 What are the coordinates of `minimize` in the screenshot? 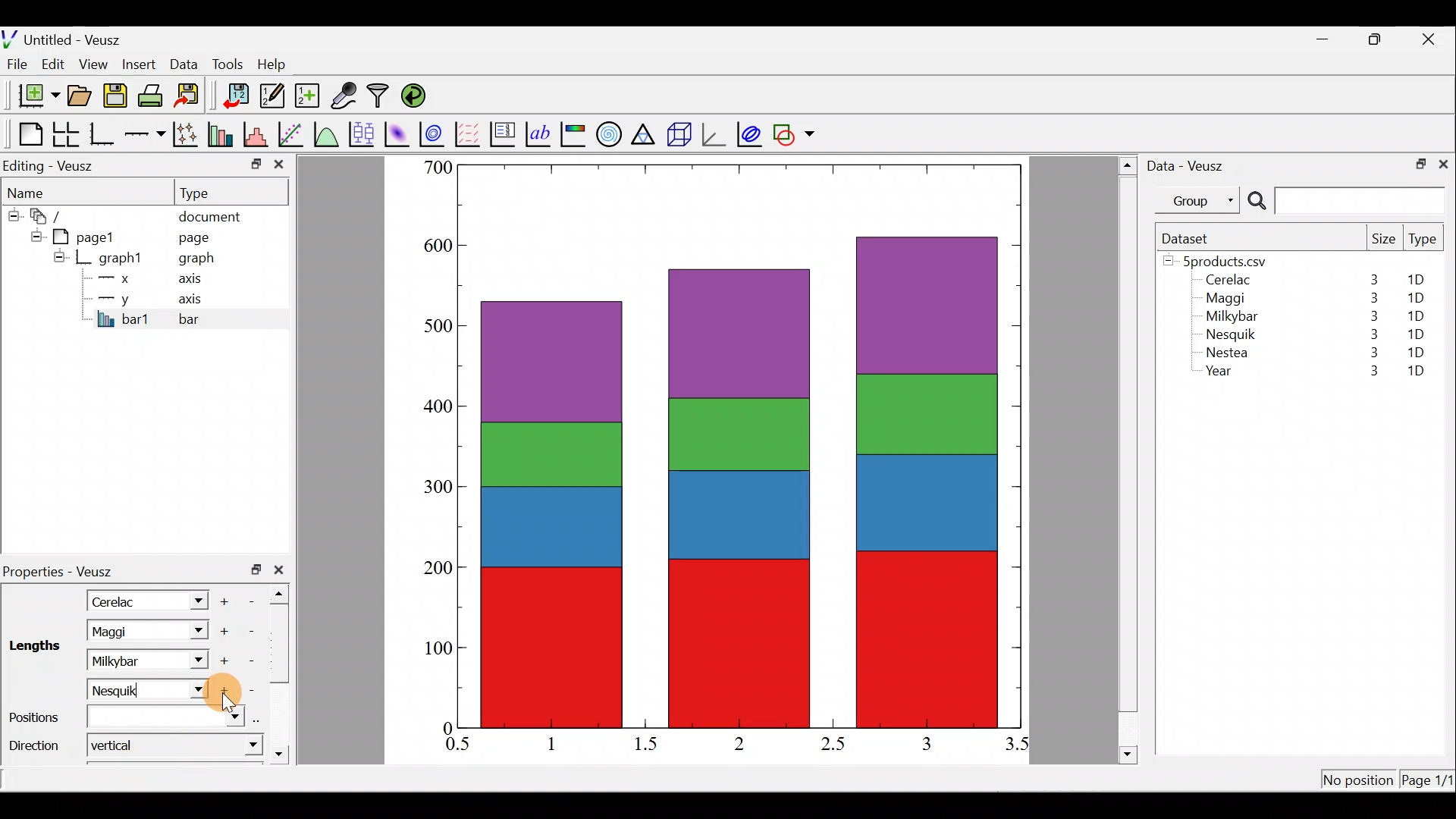 It's located at (255, 163).